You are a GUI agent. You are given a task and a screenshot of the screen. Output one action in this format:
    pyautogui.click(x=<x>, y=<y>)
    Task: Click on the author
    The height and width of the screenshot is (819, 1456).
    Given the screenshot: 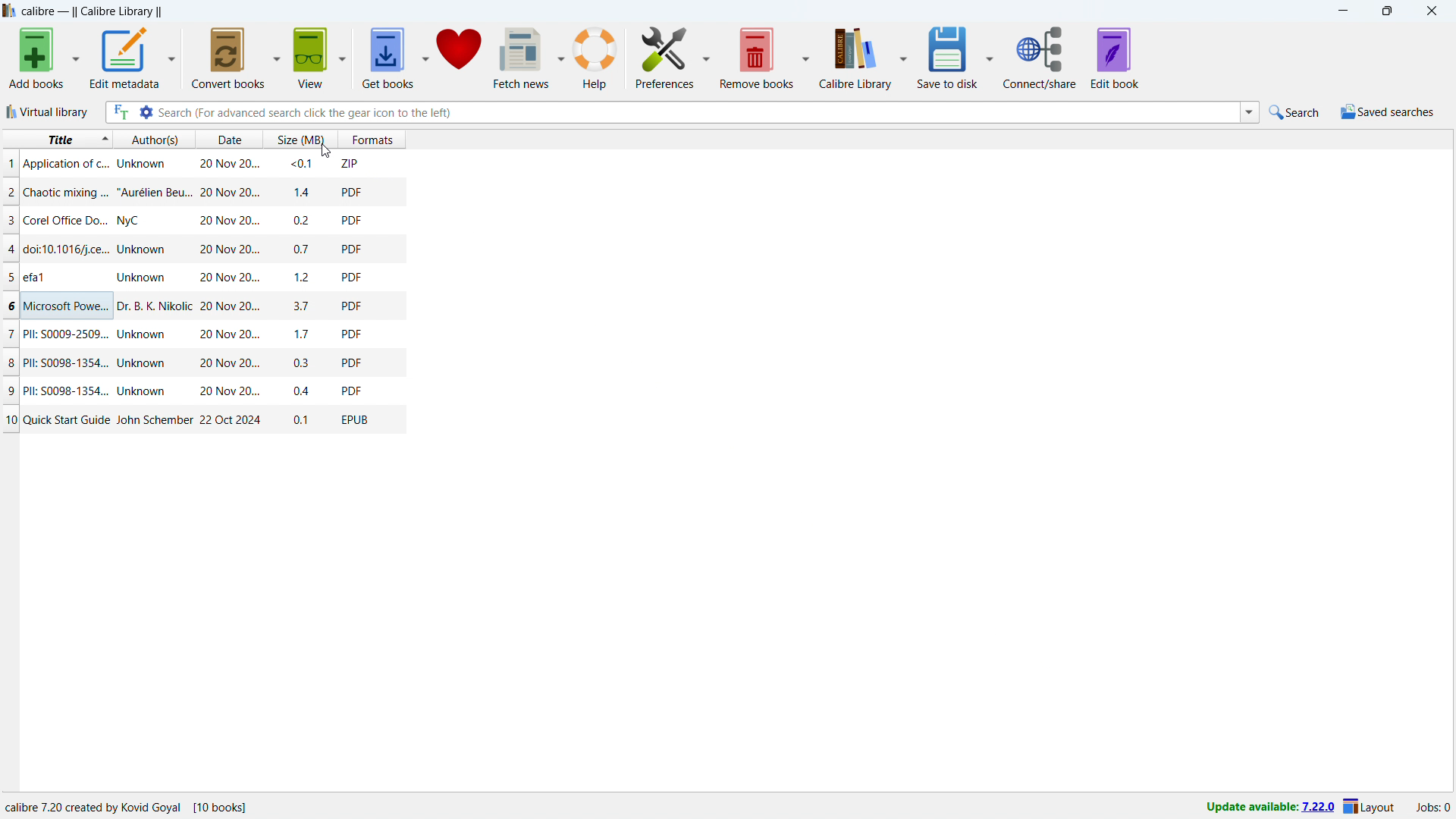 What is the action you would take?
    pyautogui.click(x=143, y=363)
    